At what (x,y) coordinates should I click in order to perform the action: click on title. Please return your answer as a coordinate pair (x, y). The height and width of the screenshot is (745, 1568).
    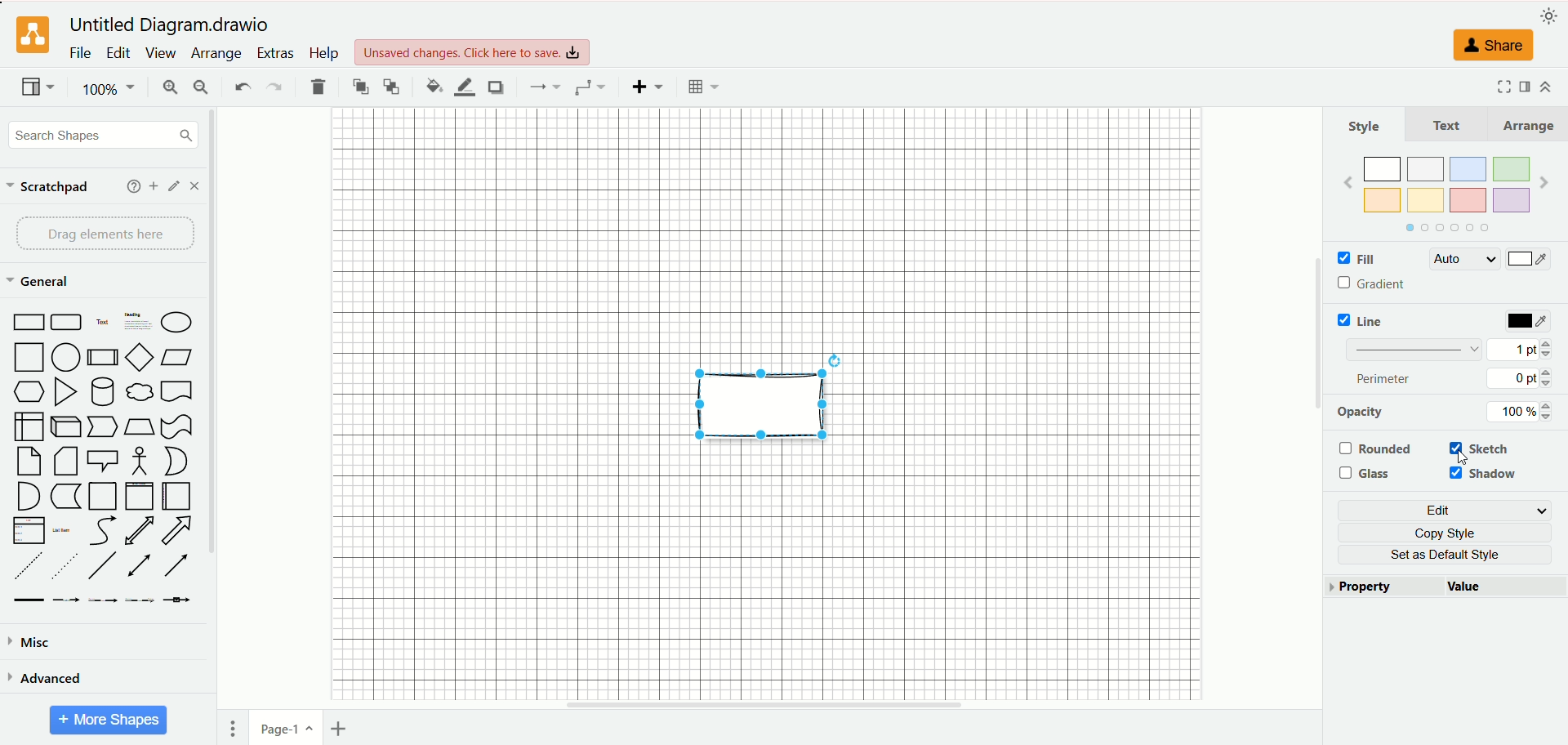
    Looking at the image, I should click on (173, 25).